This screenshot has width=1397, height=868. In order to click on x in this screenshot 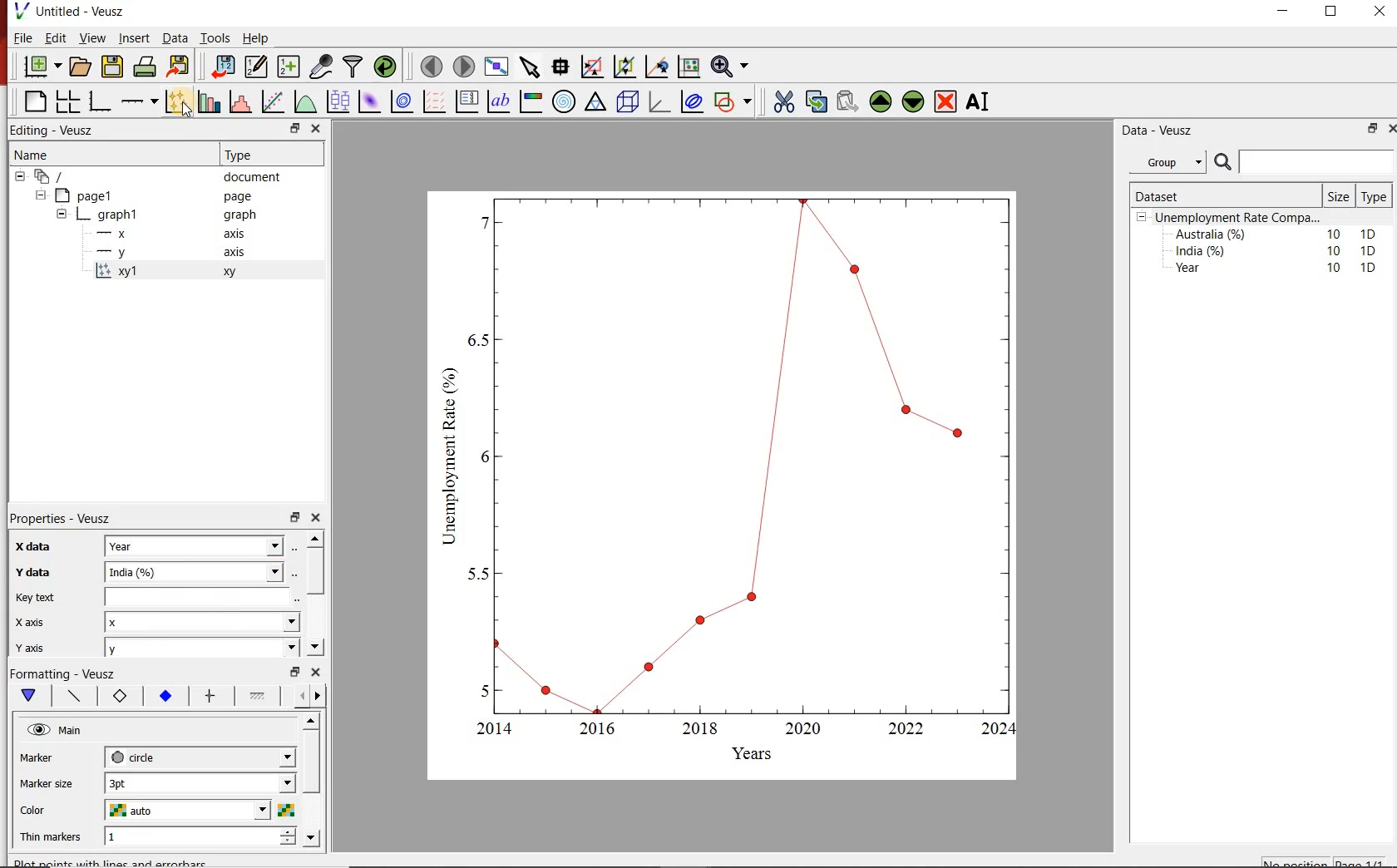, I will do `click(200, 622)`.